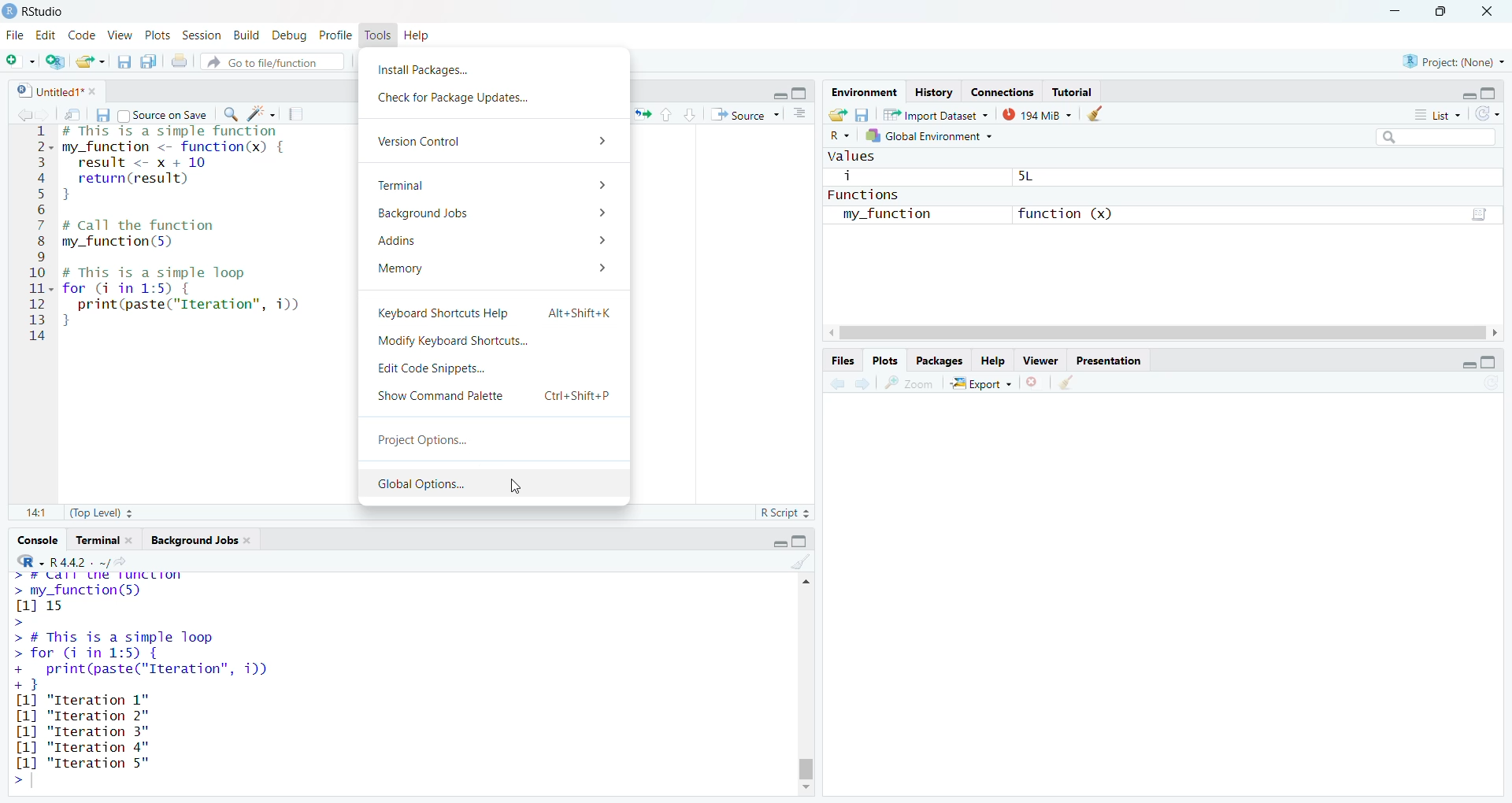 This screenshot has height=803, width=1512. What do you see at coordinates (74, 113) in the screenshot?
I see `show in new window` at bounding box center [74, 113].